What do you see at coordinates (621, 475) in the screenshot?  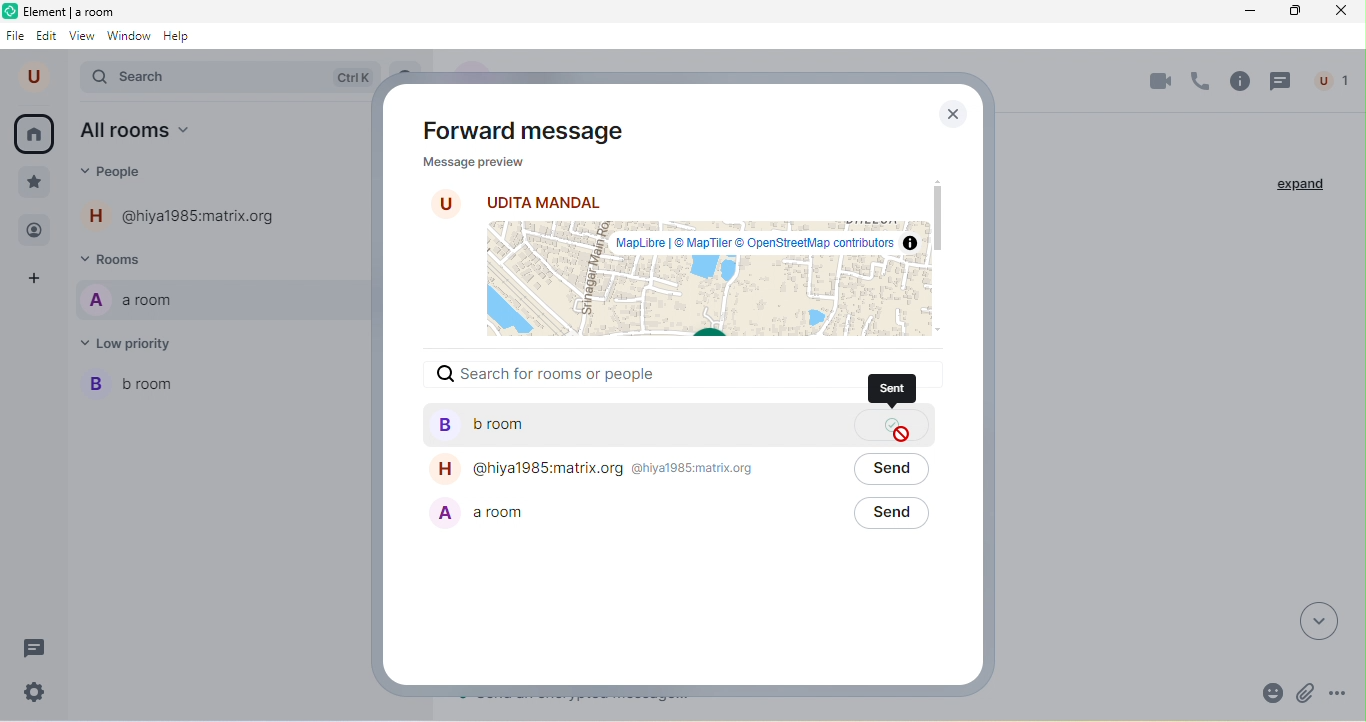 I see `@hiya1985:matrix.org` at bounding box center [621, 475].